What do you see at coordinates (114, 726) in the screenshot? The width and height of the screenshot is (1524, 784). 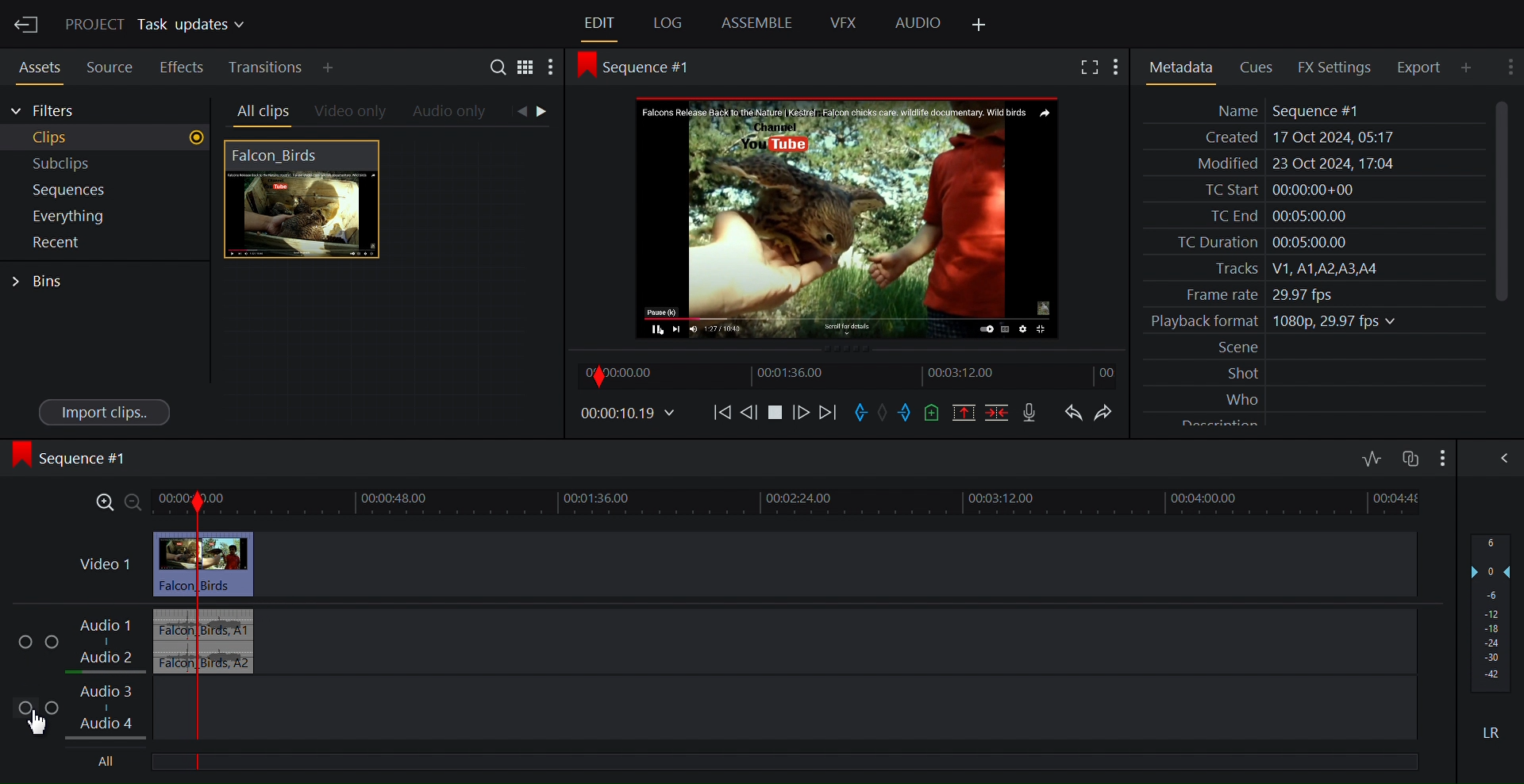 I see `Audio 4` at bounding box center [114, 726].